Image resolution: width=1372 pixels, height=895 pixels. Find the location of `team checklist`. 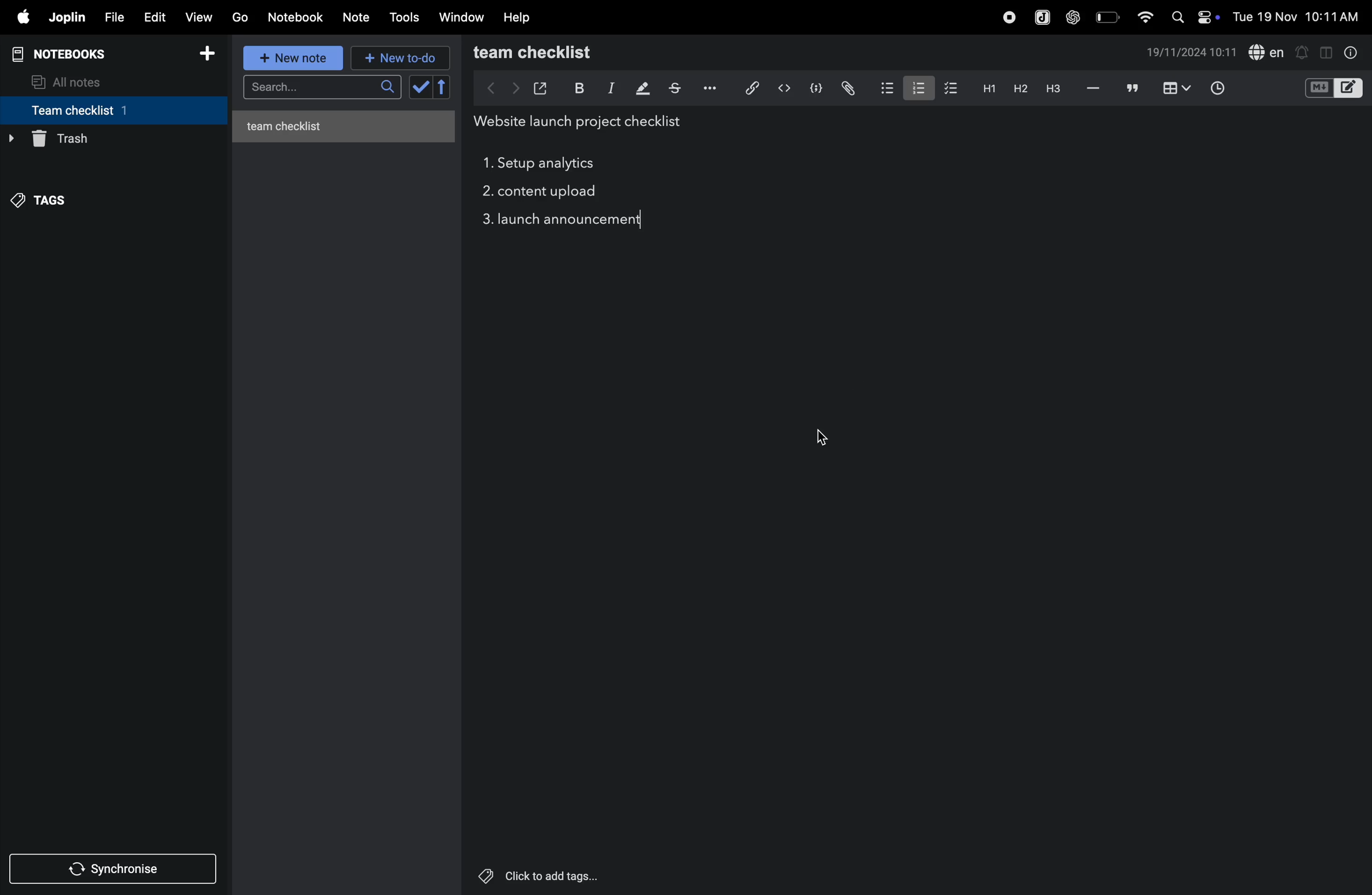

team checklist is located at coordinates (94, 110).